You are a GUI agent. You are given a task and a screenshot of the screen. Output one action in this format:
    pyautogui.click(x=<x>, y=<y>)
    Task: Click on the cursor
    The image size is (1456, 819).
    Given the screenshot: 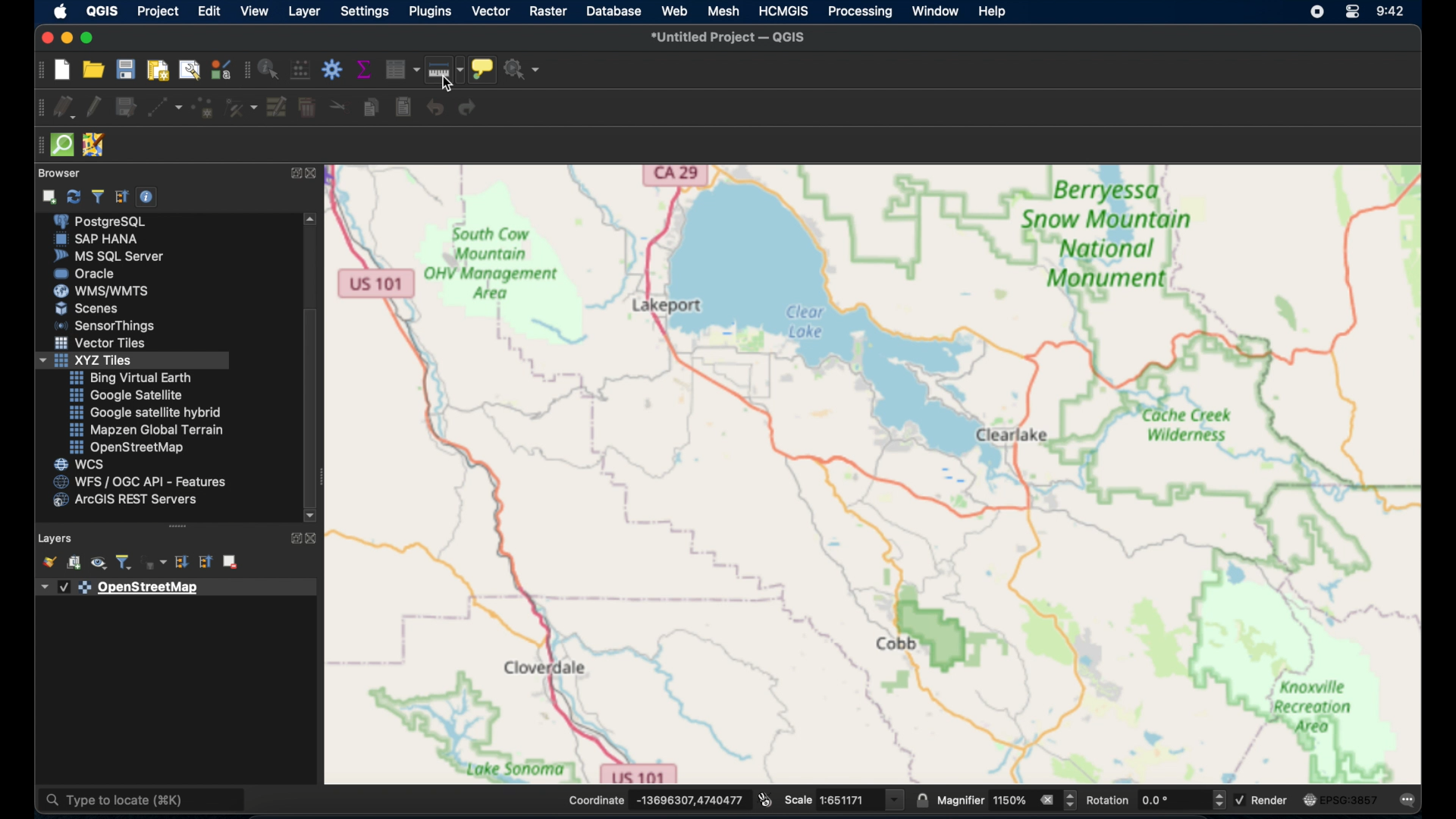 What is the action you would take?
    pyautogui.click(x=444, y=82)
    